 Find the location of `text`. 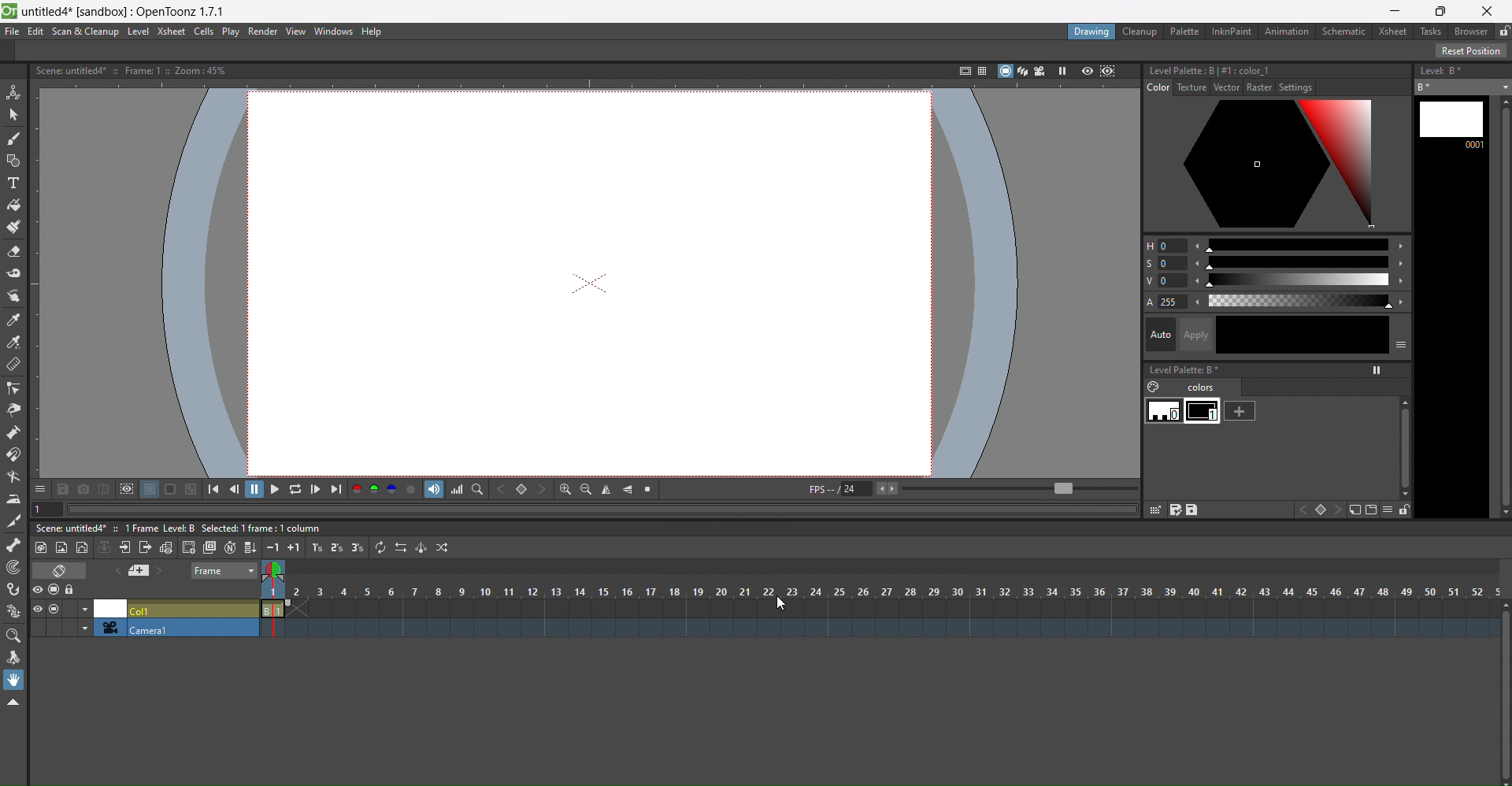

text is located at coordinates (180, 529).